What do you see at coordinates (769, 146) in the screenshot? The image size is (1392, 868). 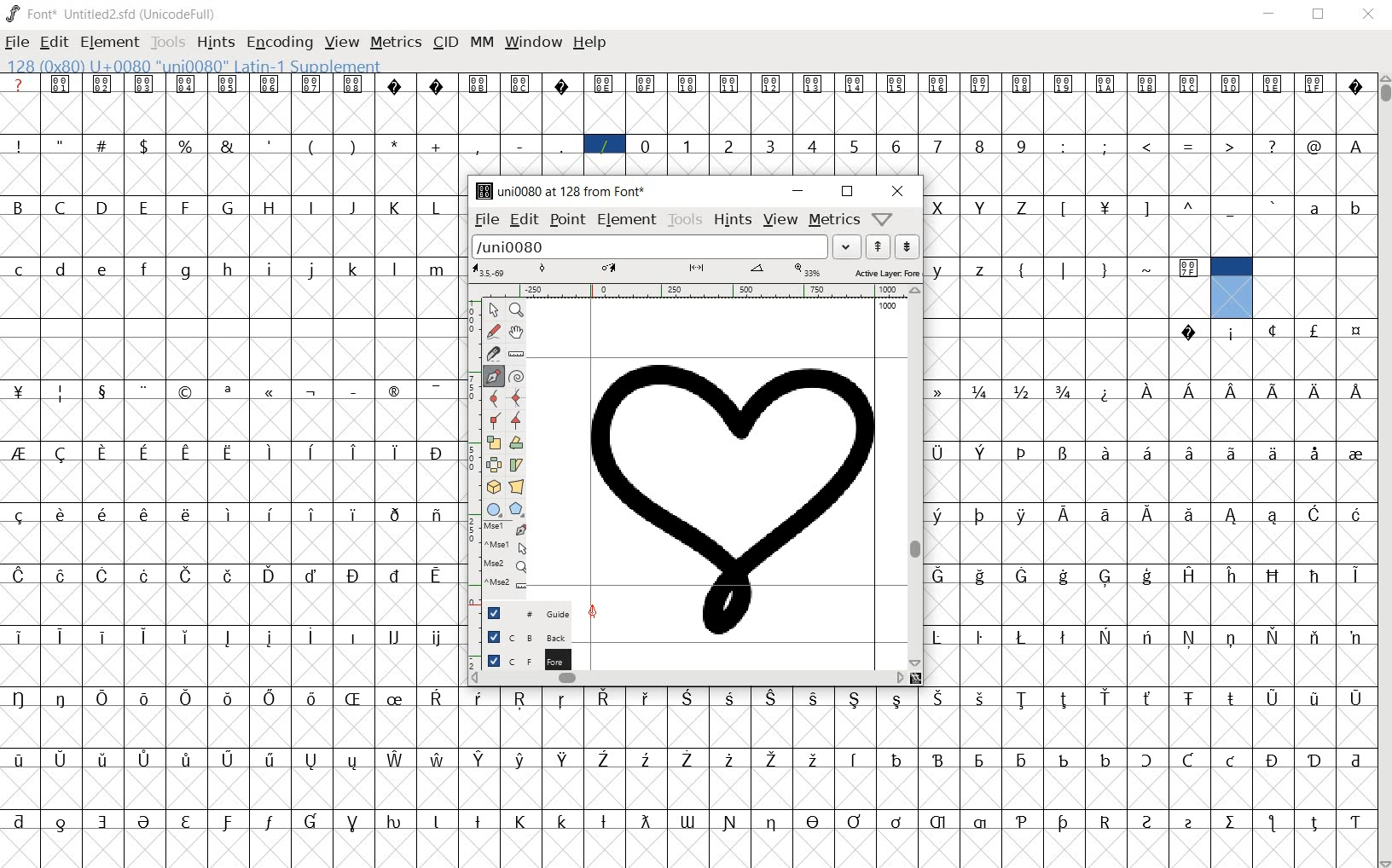 I see `glyph` at bounding box center [769, 146].